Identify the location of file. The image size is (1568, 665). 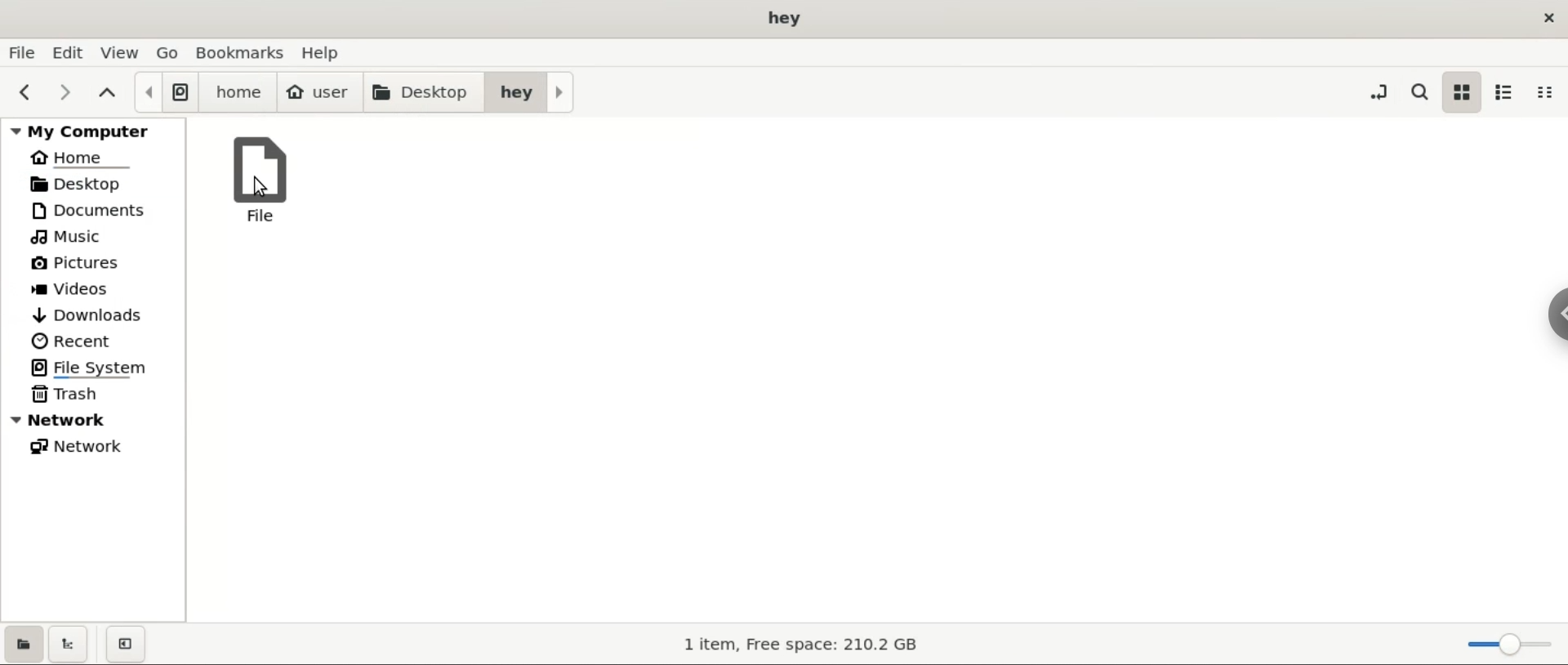
(21, 52).